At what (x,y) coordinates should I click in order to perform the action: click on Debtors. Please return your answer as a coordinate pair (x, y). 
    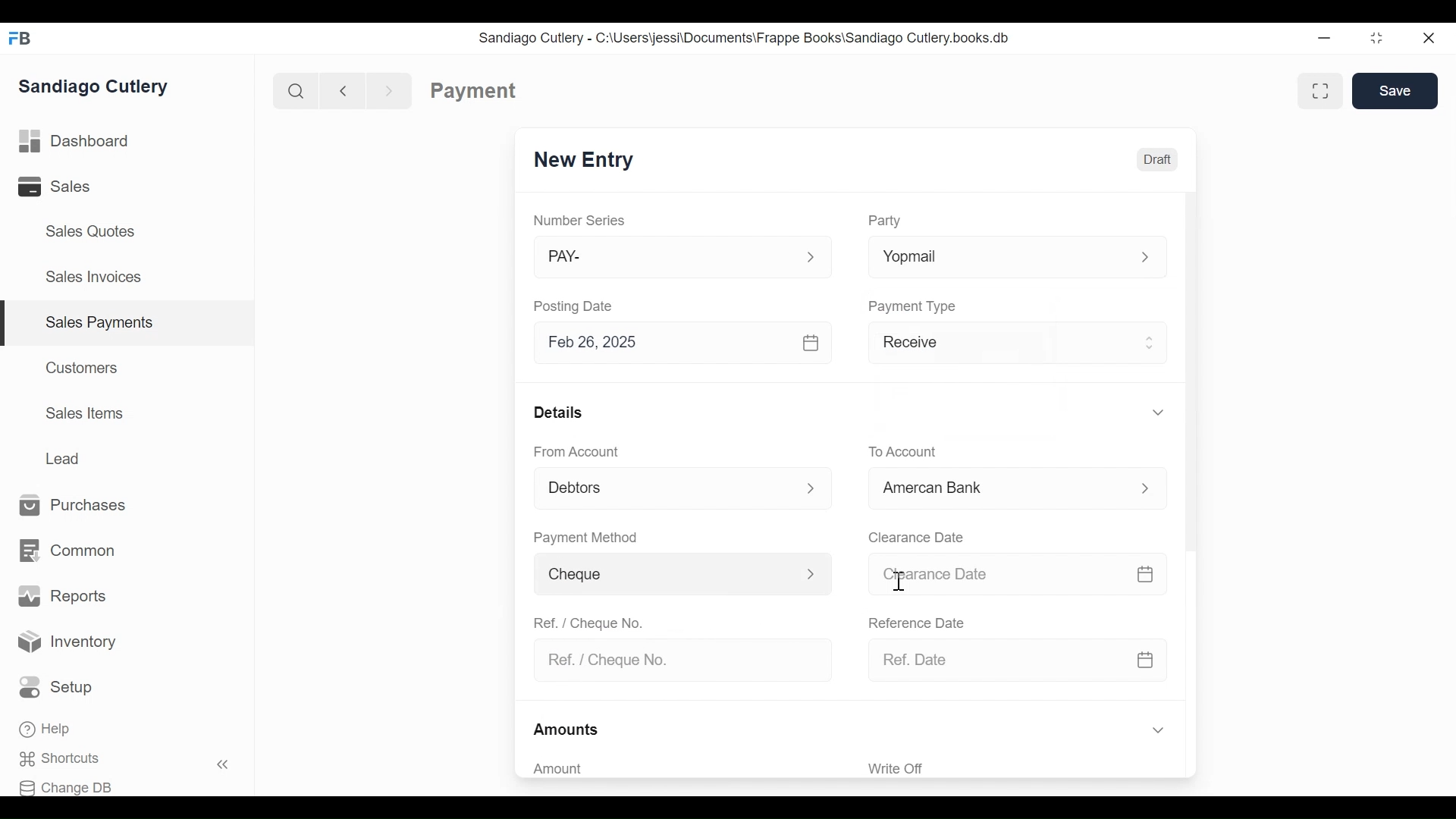
    Looking at the image, I should click on (663, 490).